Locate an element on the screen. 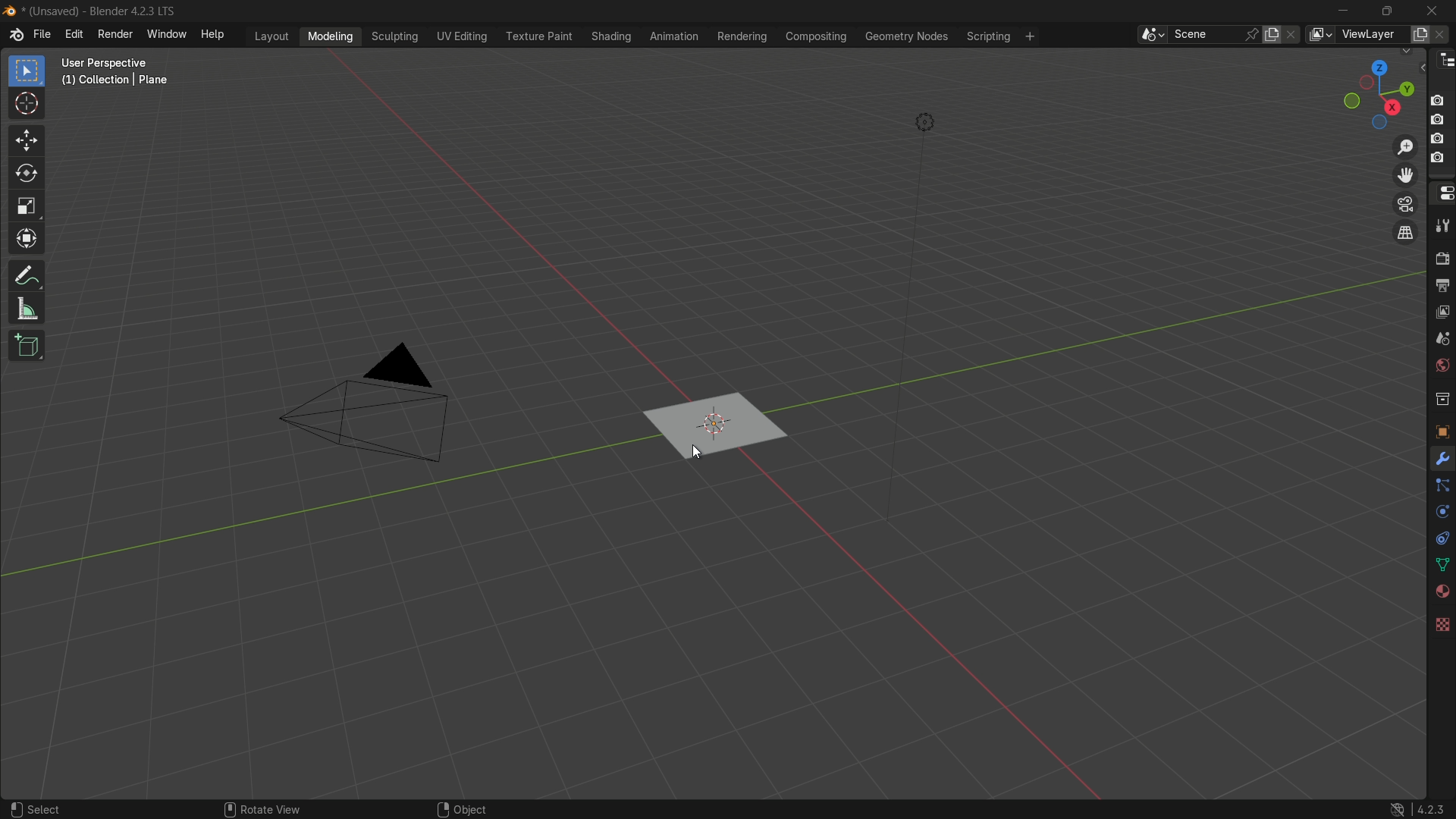 This screenshot has height=819, width=1456. plane is located at coordinates (713, 426).